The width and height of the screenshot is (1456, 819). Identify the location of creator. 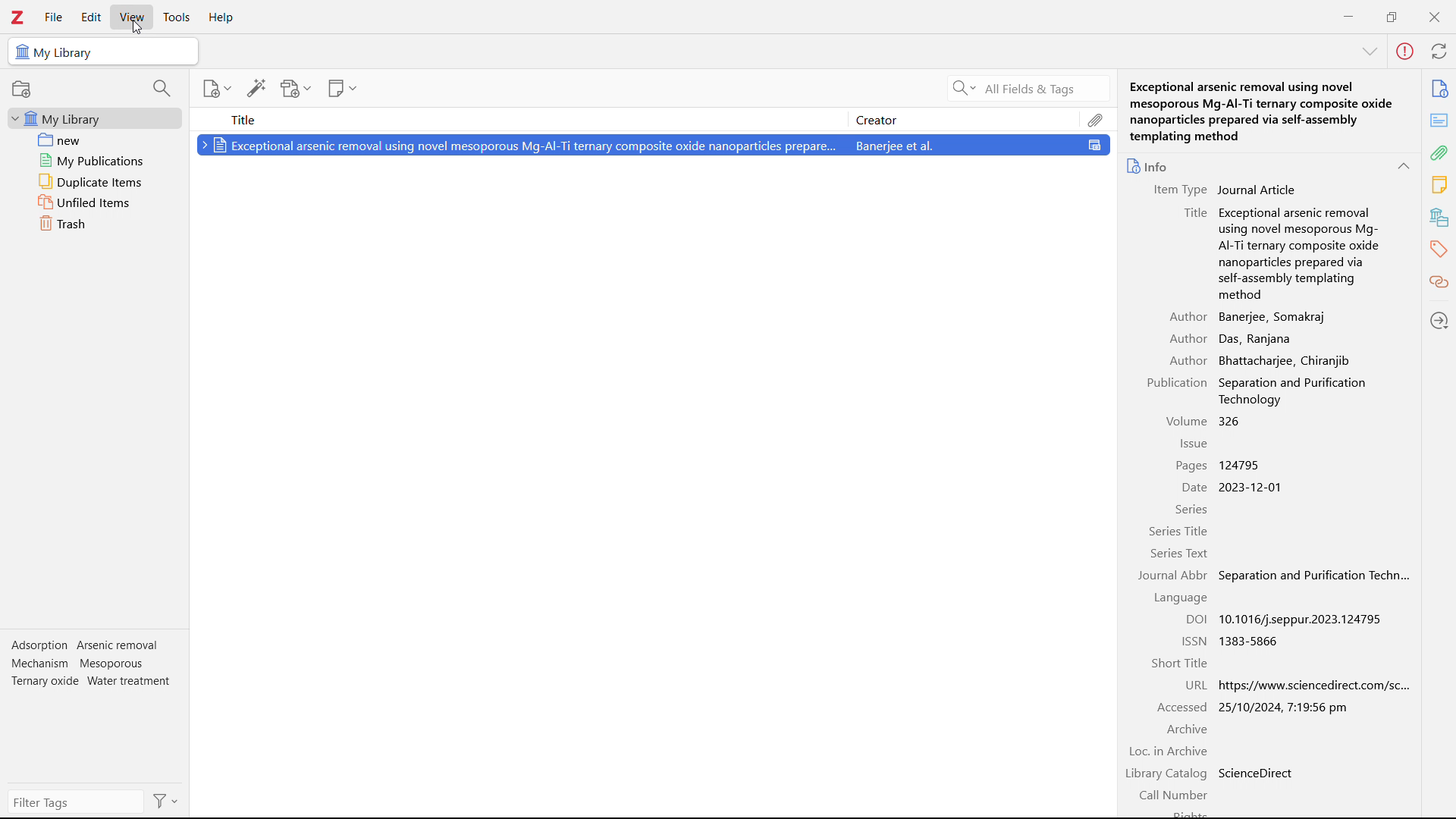
(965, 120).